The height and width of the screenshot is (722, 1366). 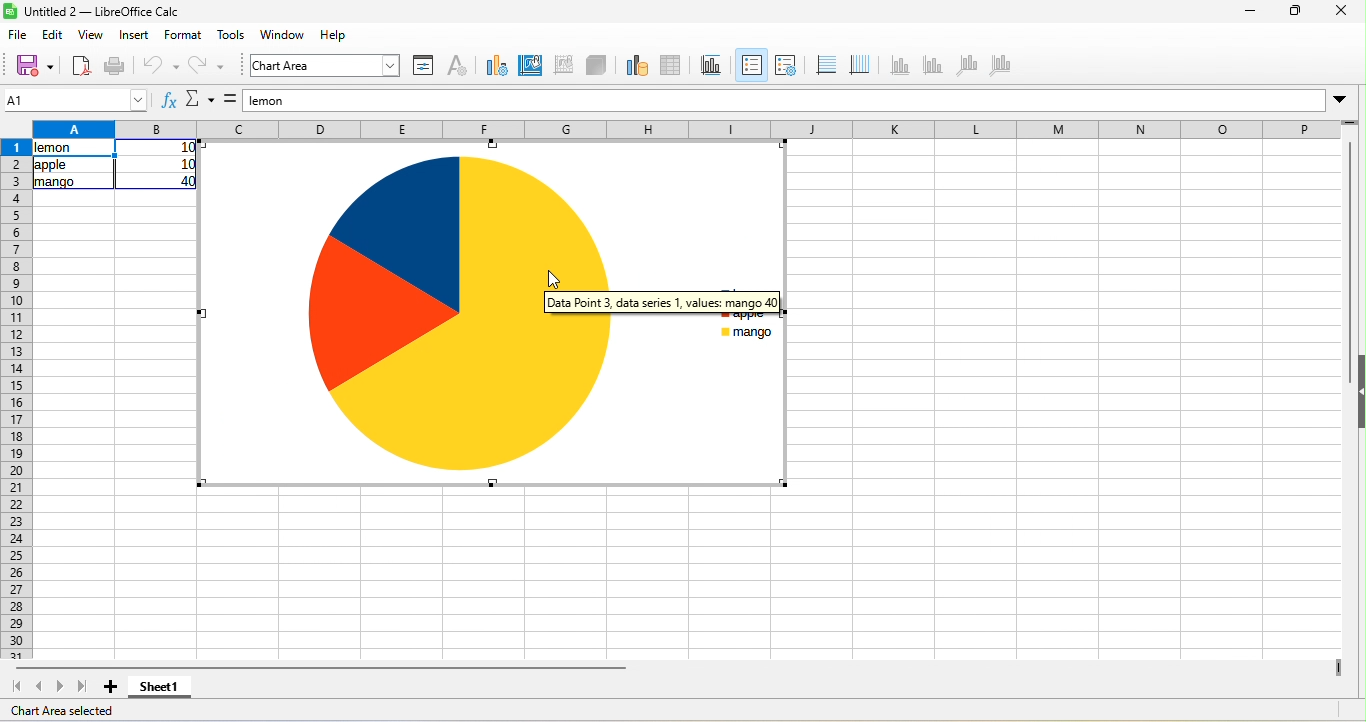 What do you see at coordinates (74, 184) in the screenshot?
I see `mango` at bounding box center [74, 184].